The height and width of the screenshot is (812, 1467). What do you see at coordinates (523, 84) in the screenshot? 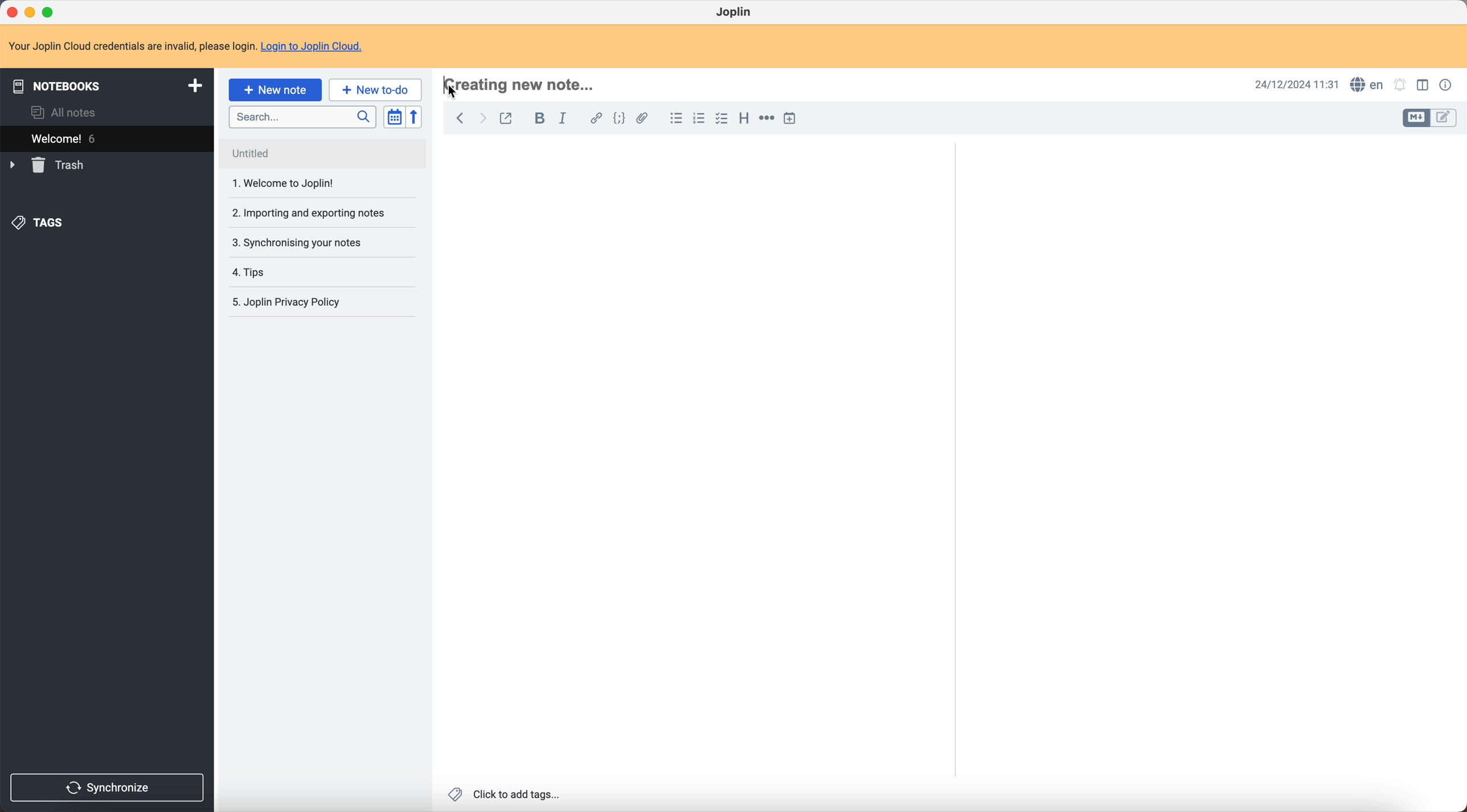
I see `hotkey` at bounding box center [523, 84].